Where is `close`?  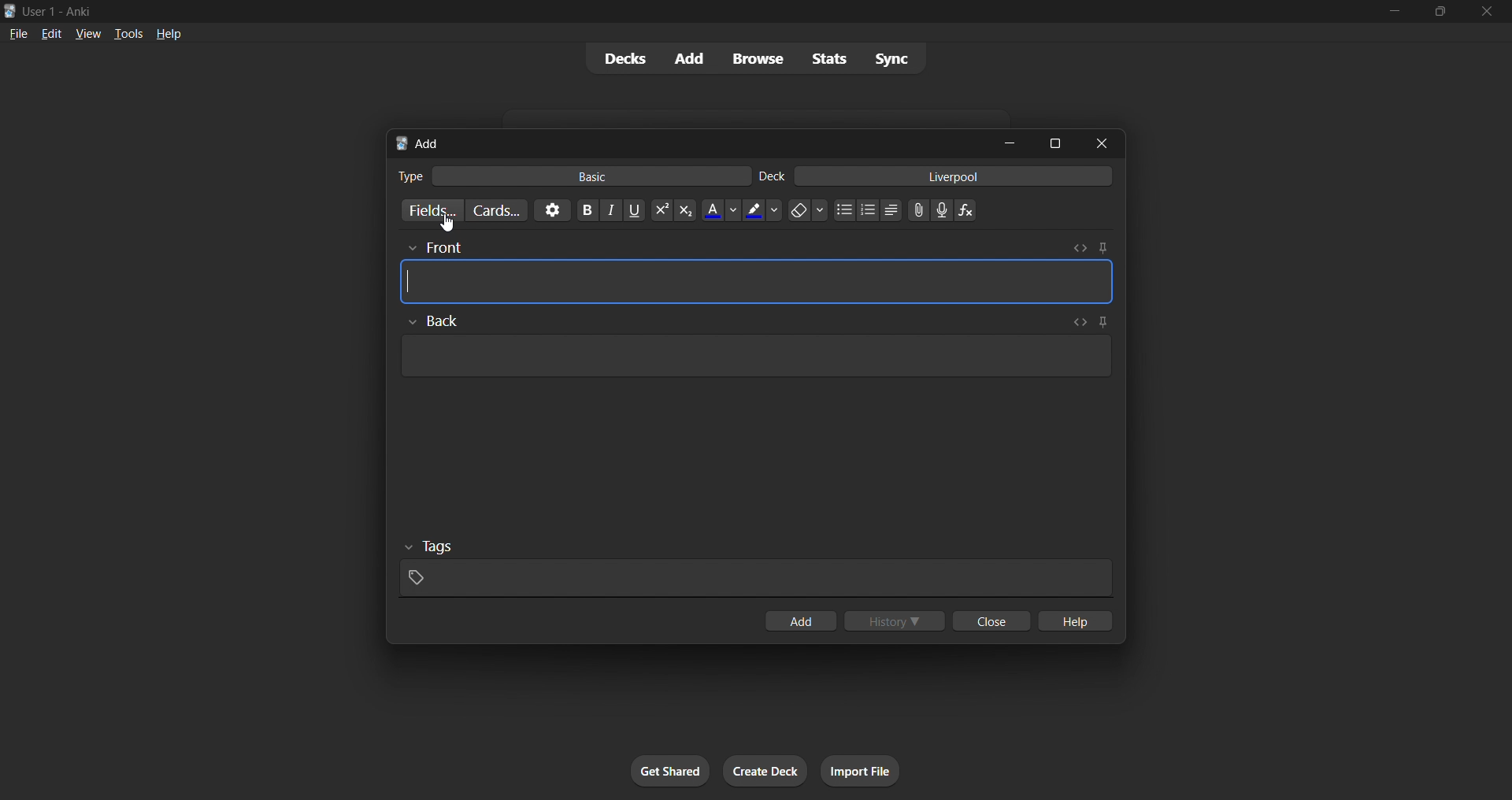
close is located at coordinates (991, 620).